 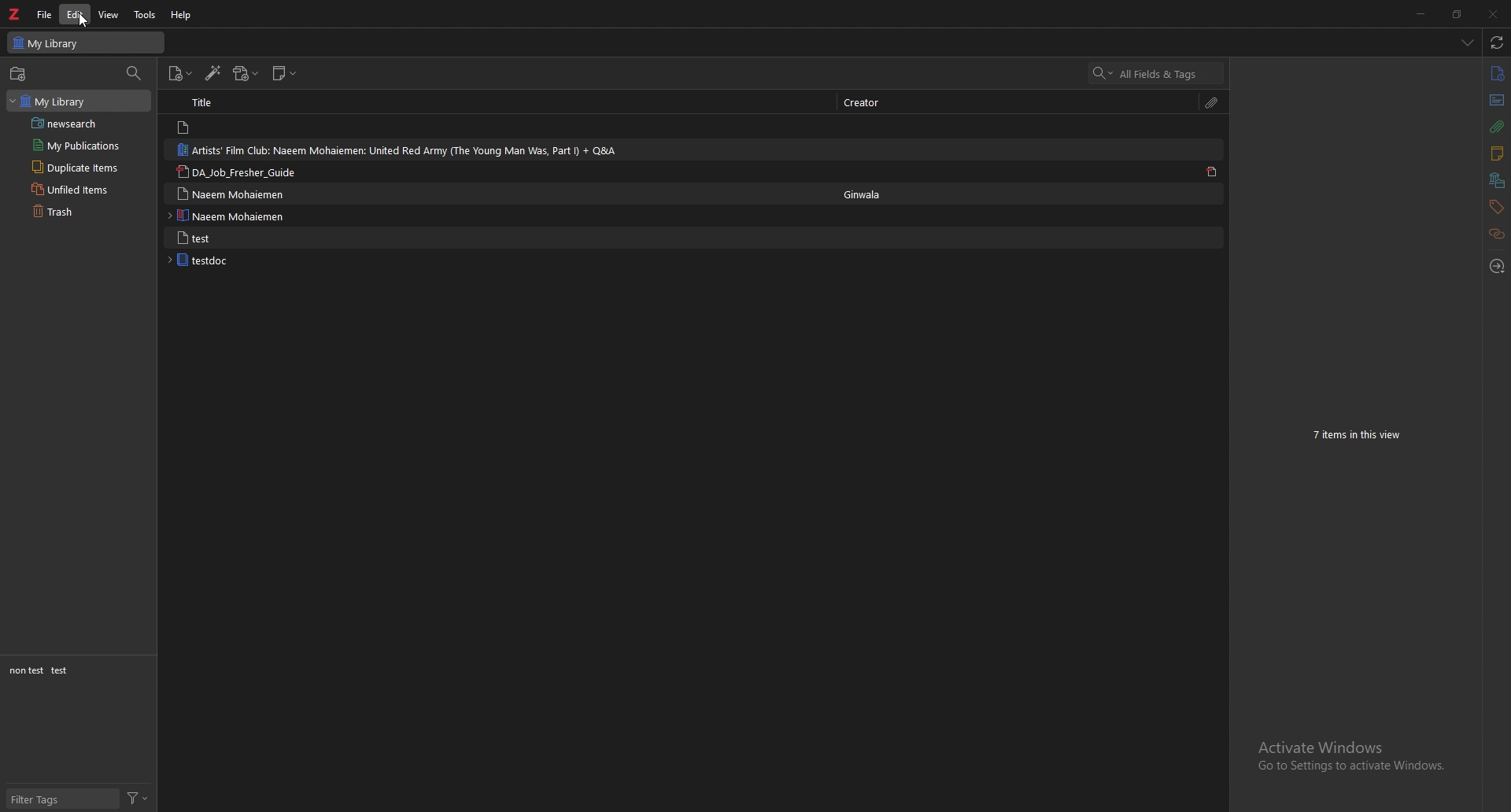 I want to click on locate, so click(x=1498, y=264).